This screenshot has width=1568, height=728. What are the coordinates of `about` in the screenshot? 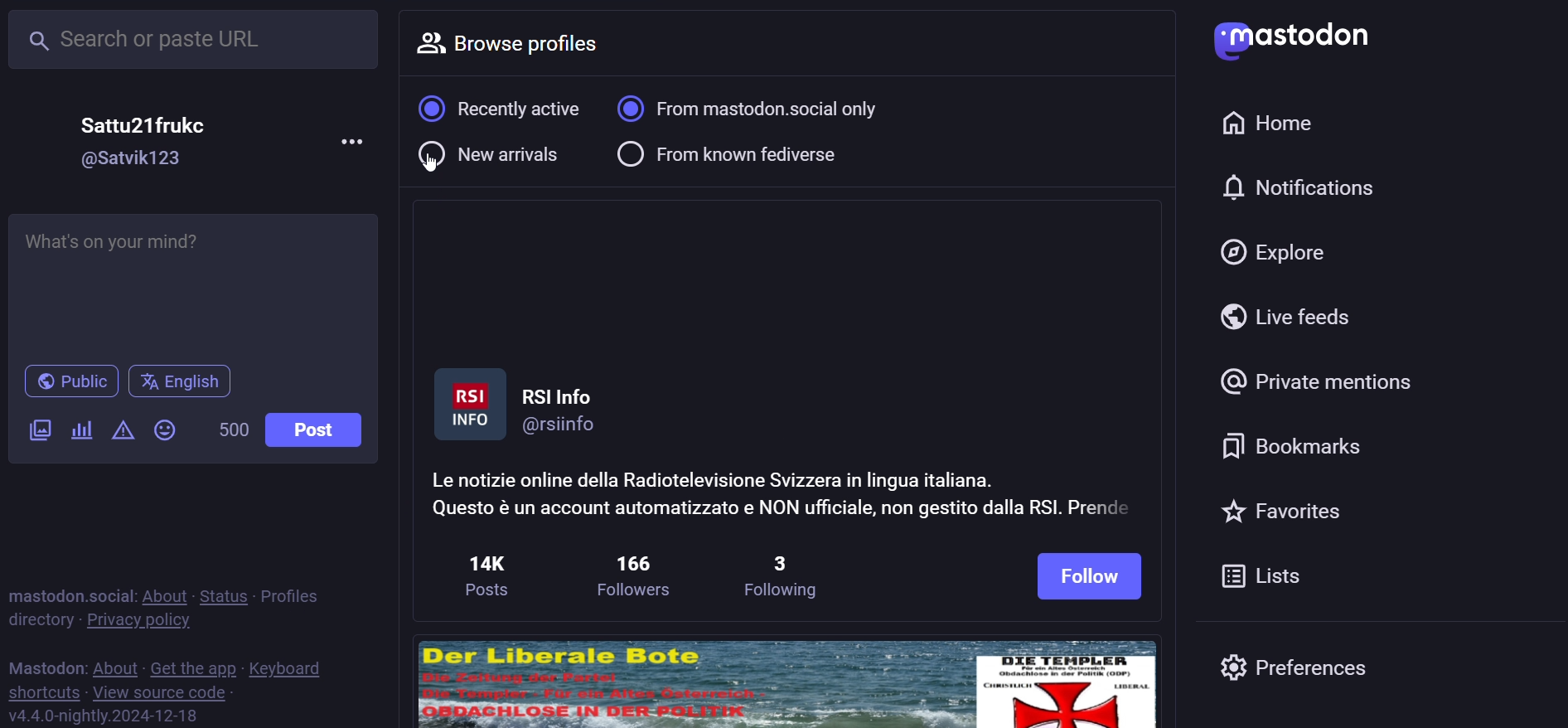 It's located at (165, 595).